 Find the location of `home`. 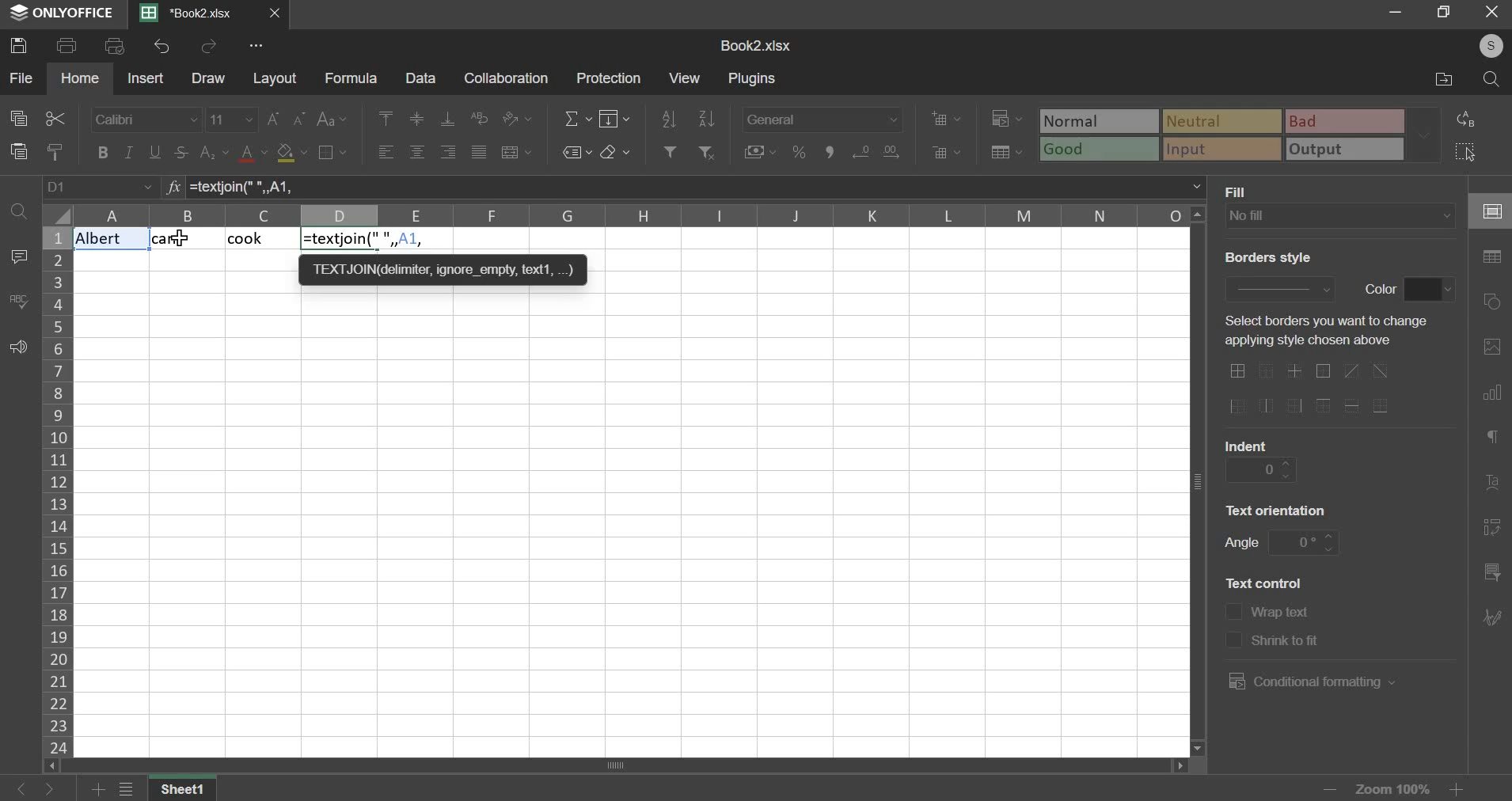

home is located at coordinates (81, 78).